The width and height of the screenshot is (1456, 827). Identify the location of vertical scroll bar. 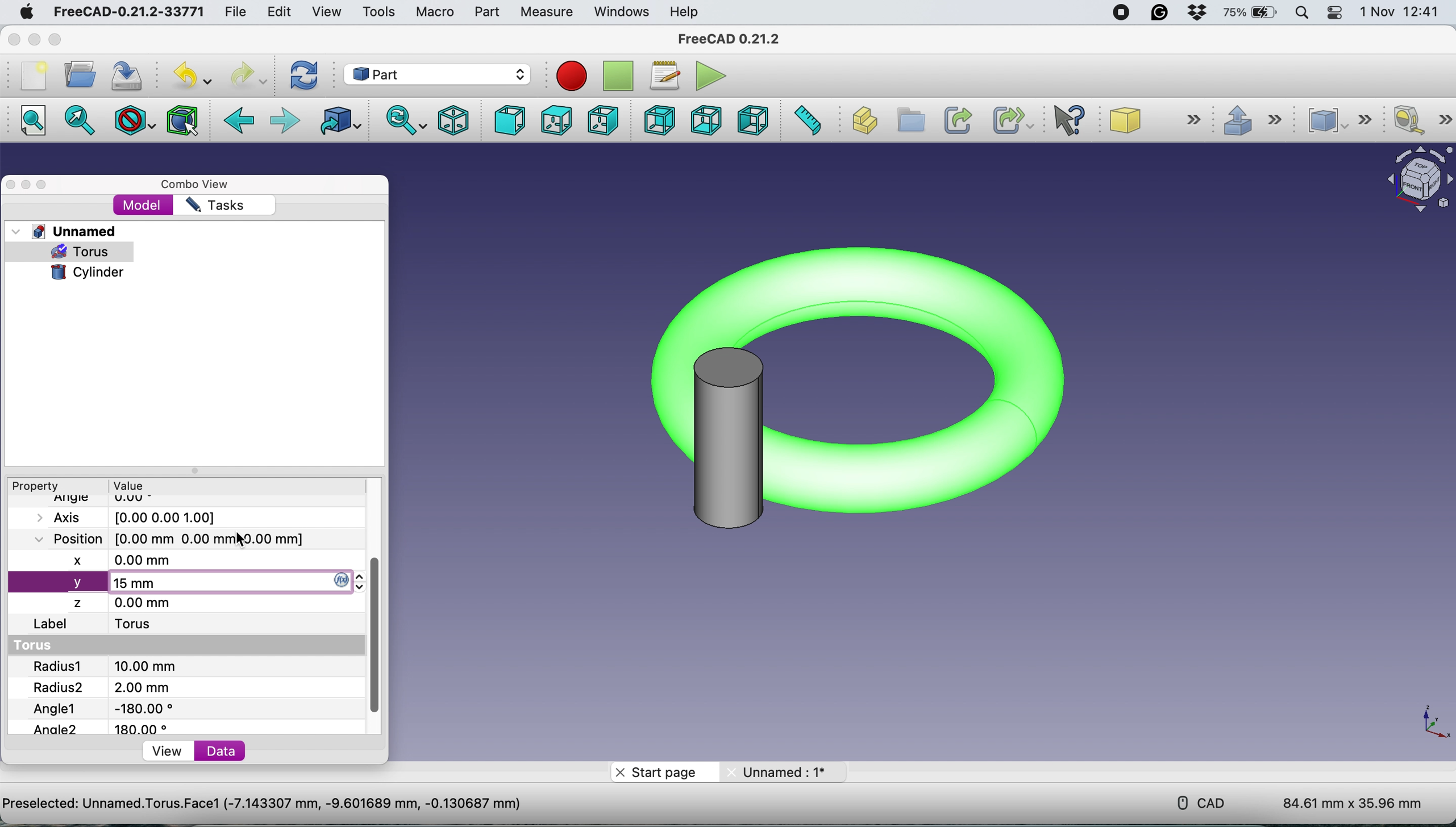
(375, 638).